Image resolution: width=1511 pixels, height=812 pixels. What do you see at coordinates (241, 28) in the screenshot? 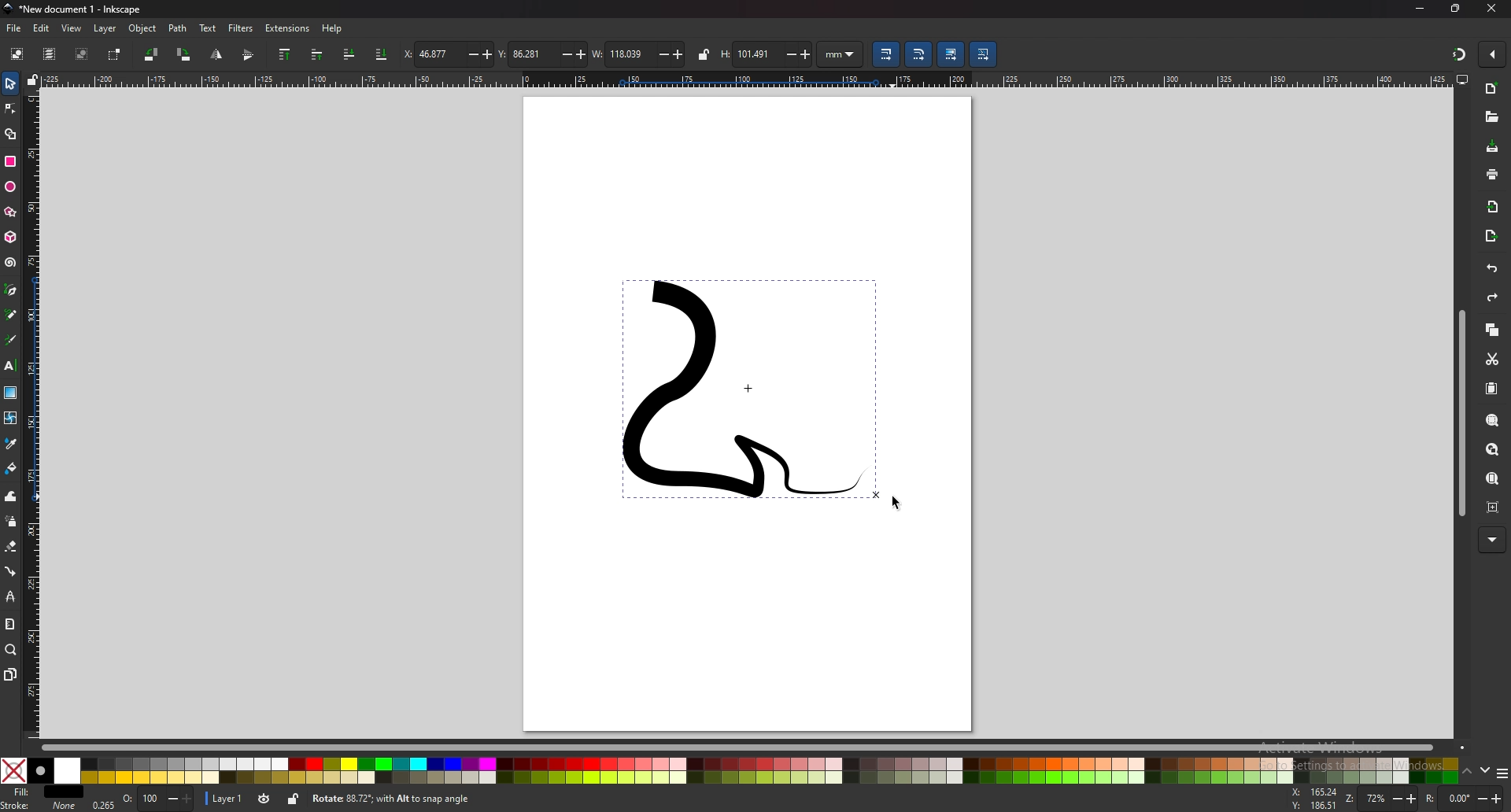
I see `filters` at bounding box center [241, 28].